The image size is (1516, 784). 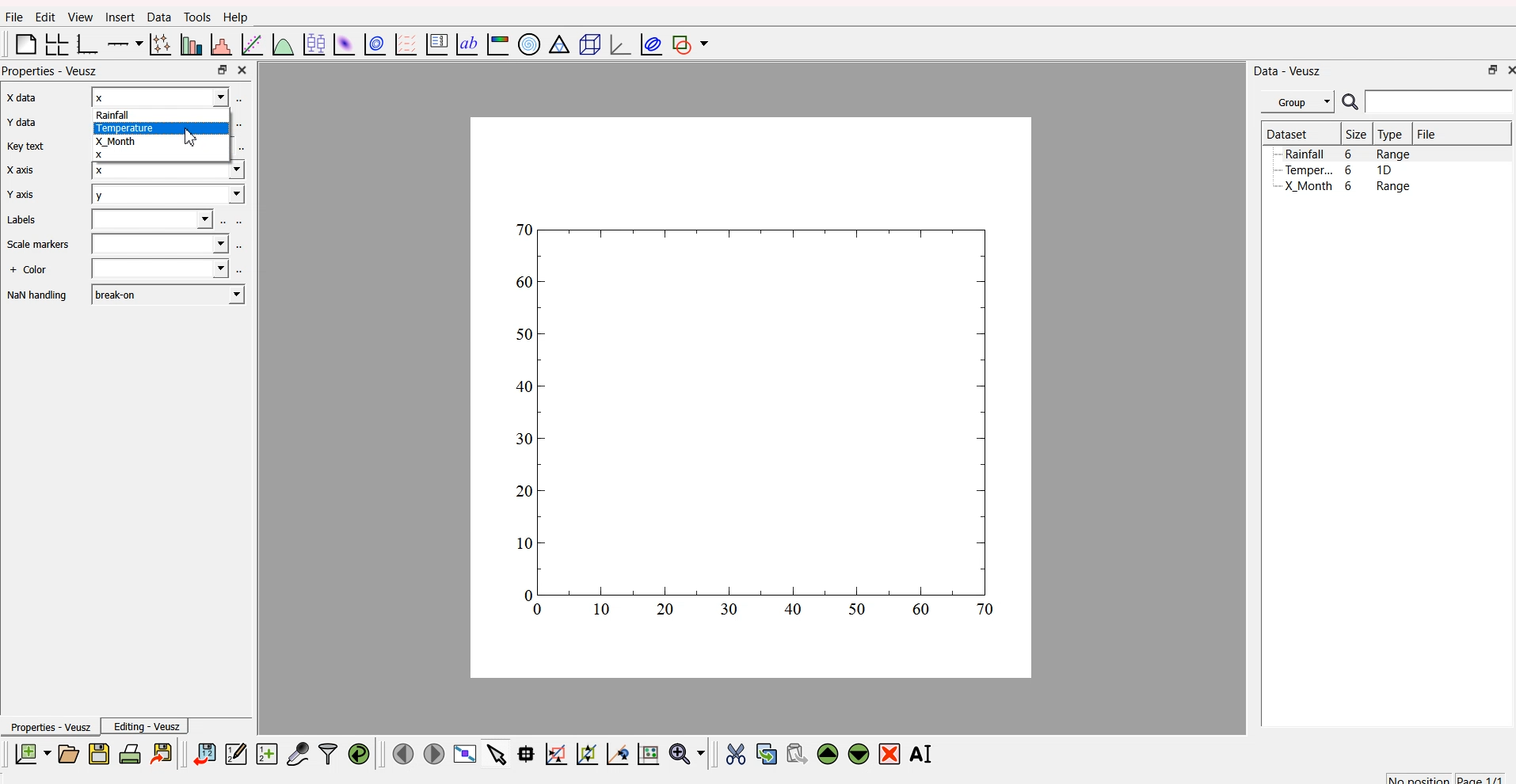 What do you see at coordinates (236, 752) in the screenshot?
I see `editor` at bounding box center [236, 752].